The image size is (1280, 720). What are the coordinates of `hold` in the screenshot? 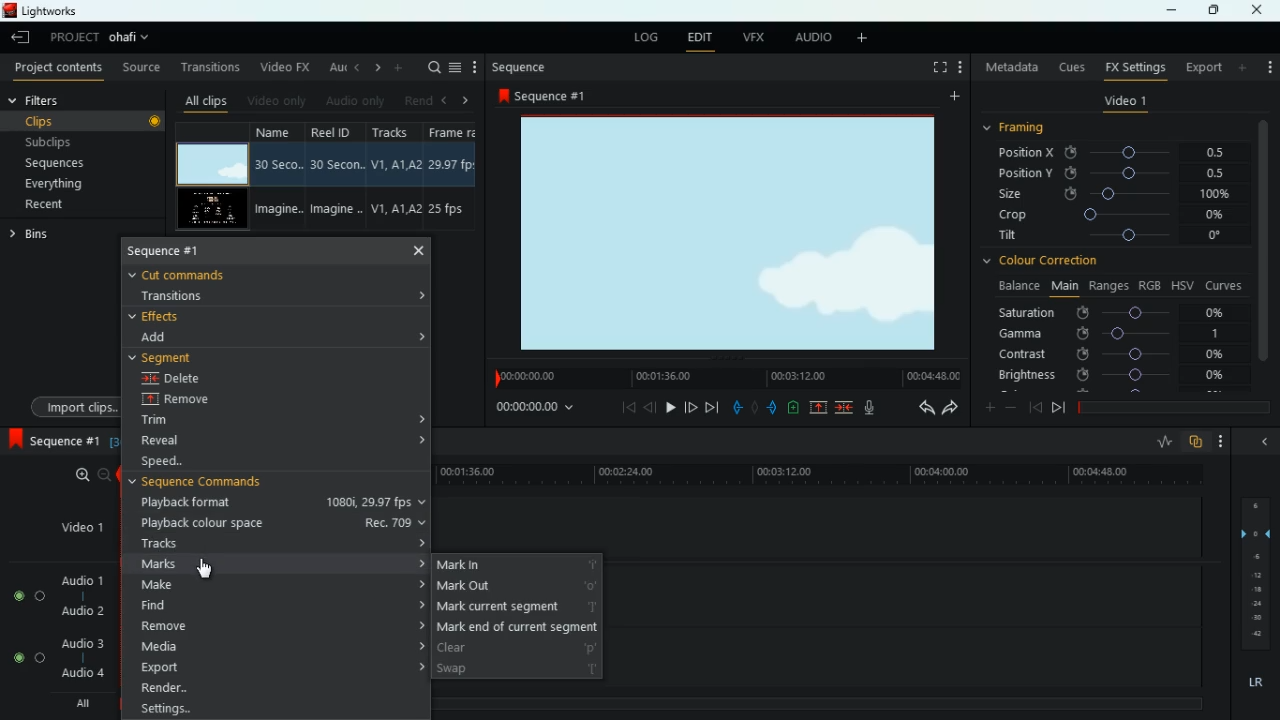 It's located at (754, 407).